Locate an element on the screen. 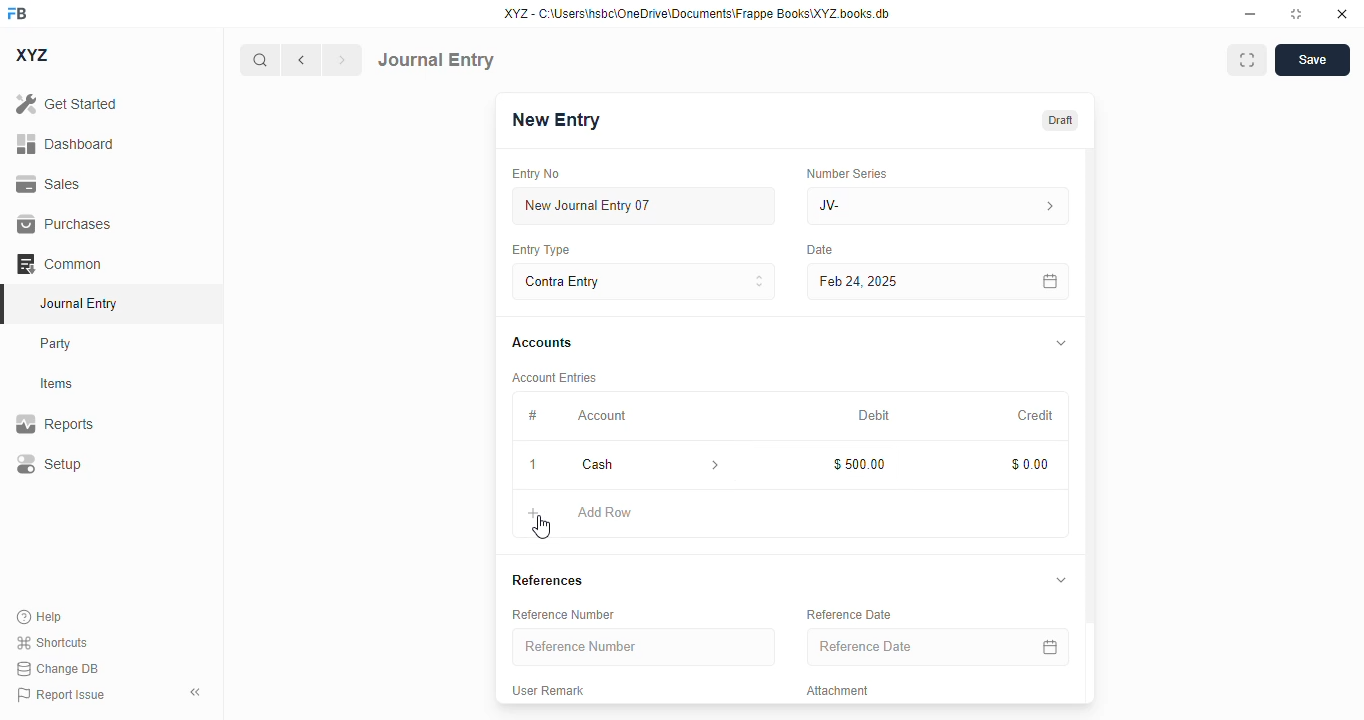 Image resolution: width=1364 pixels, height=720 pixels. calendar icon is located at coordinates (1049, 646).